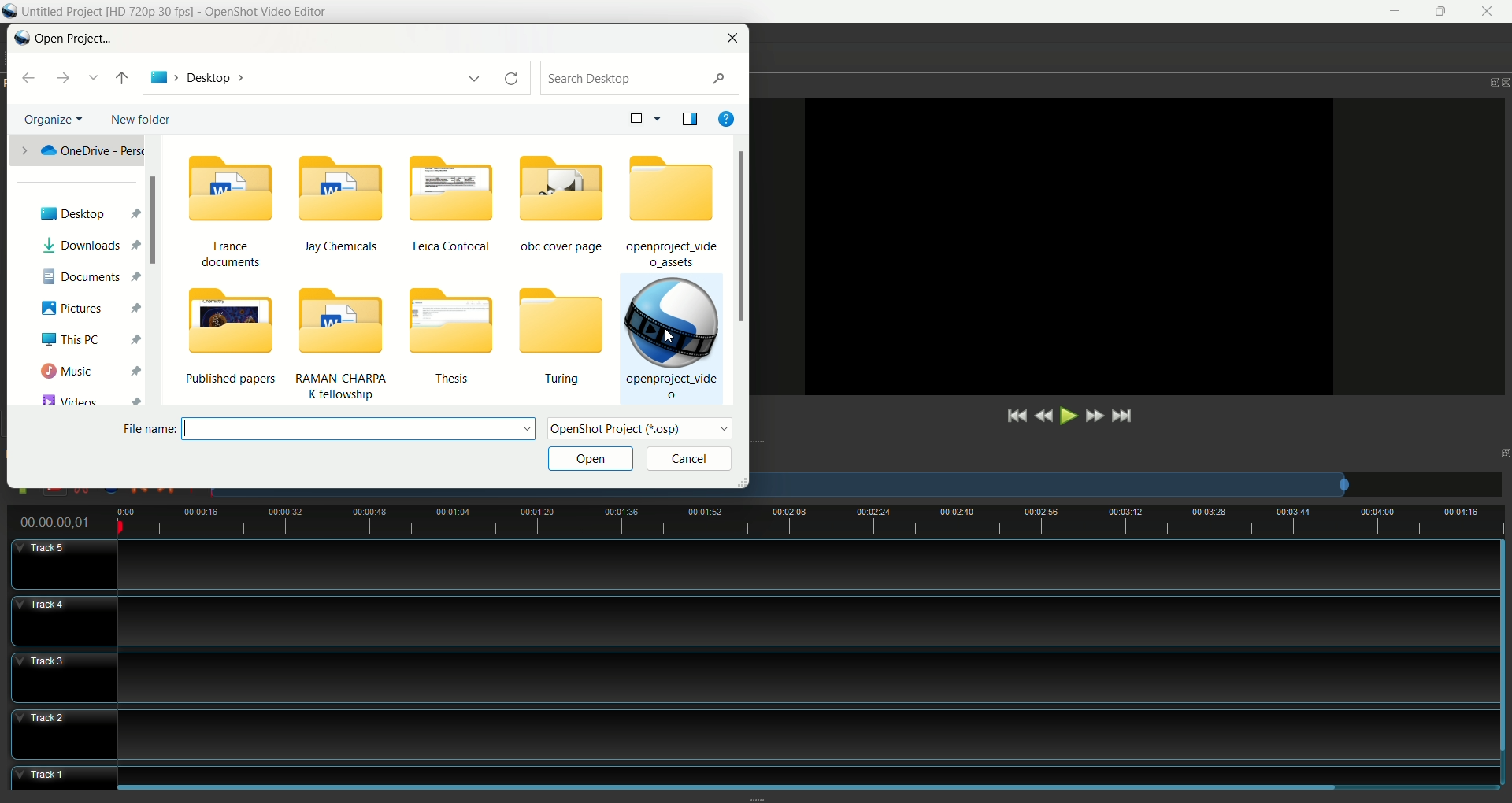 The image size is (1512, 803). I want to click on cursor, so click(668, 339).